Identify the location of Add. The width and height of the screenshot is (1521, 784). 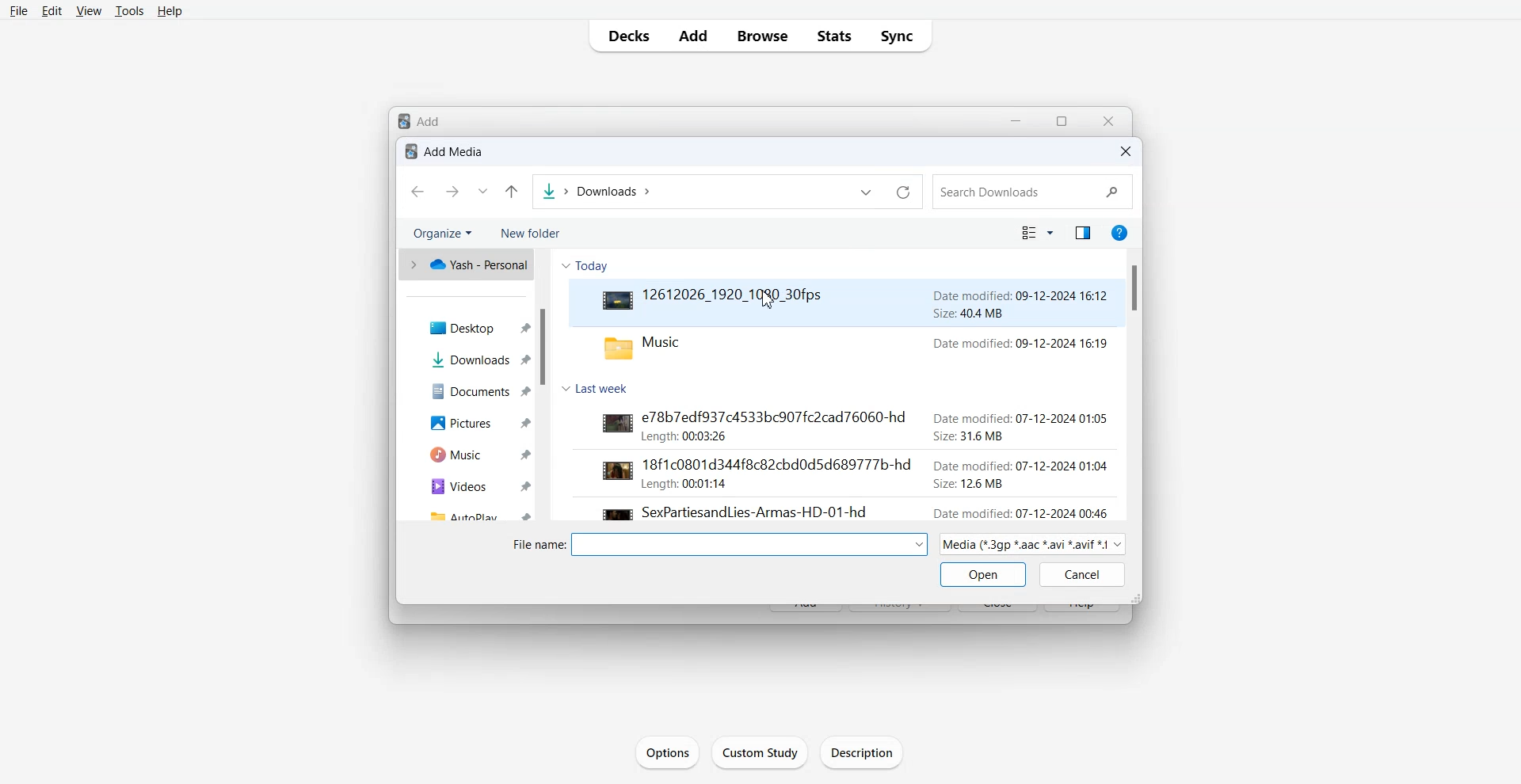
(694, 36).